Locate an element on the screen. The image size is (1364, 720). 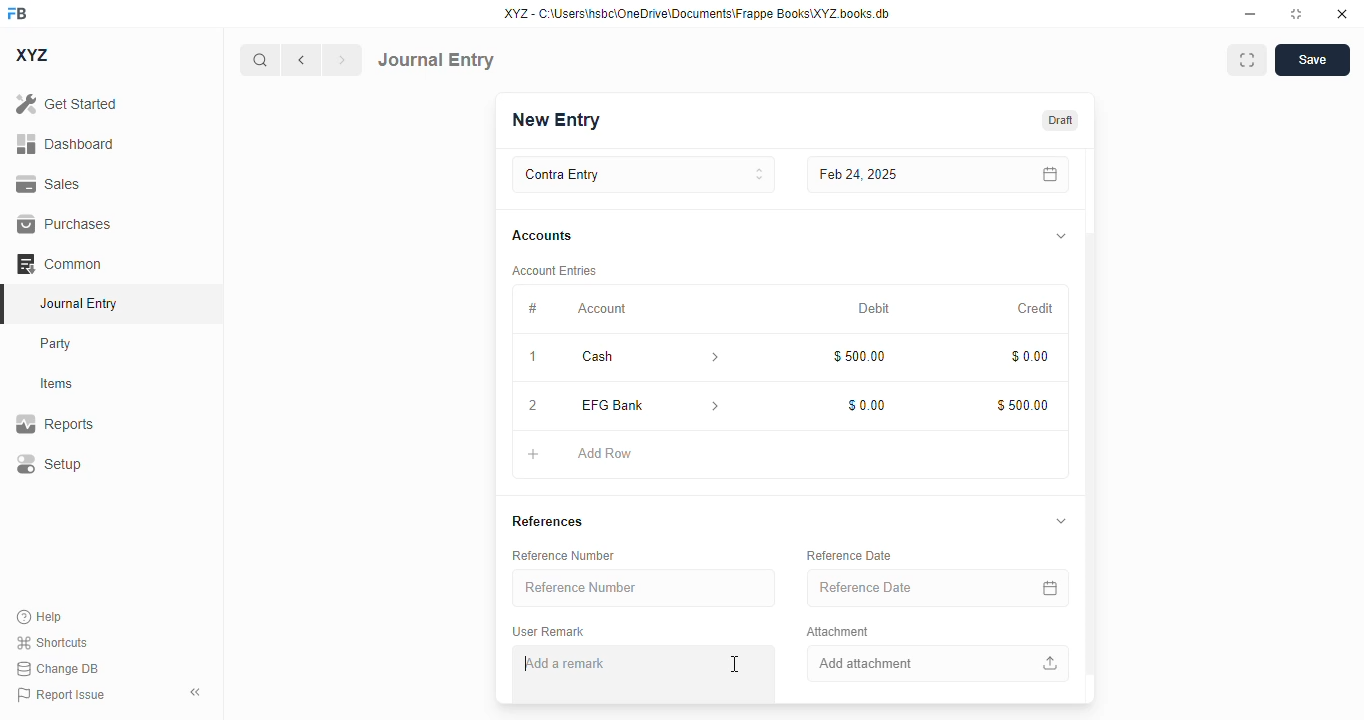
common is located at coordinates (59, 263).